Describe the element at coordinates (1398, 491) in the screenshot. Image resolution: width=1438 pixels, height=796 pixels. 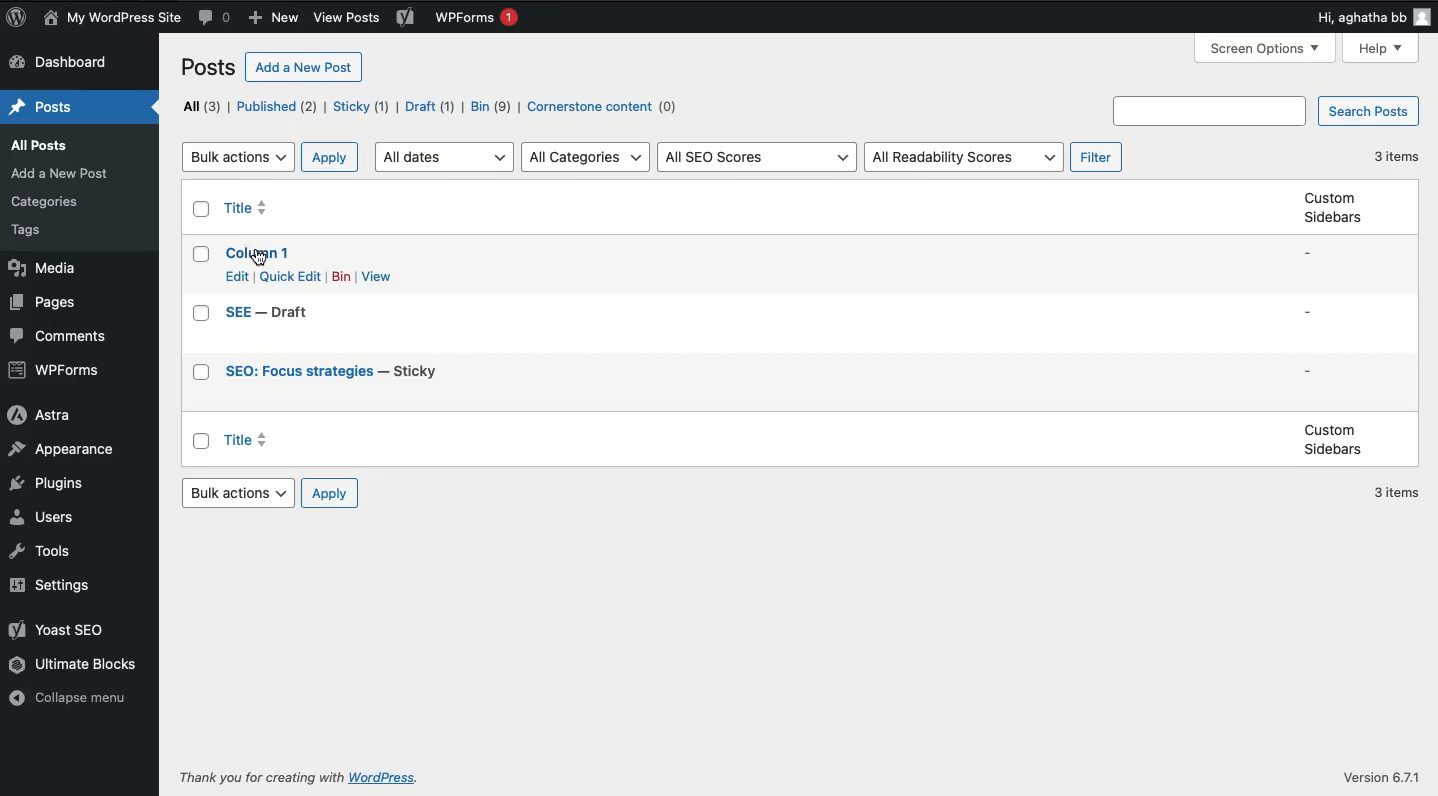
I see `3 items ` at that location.